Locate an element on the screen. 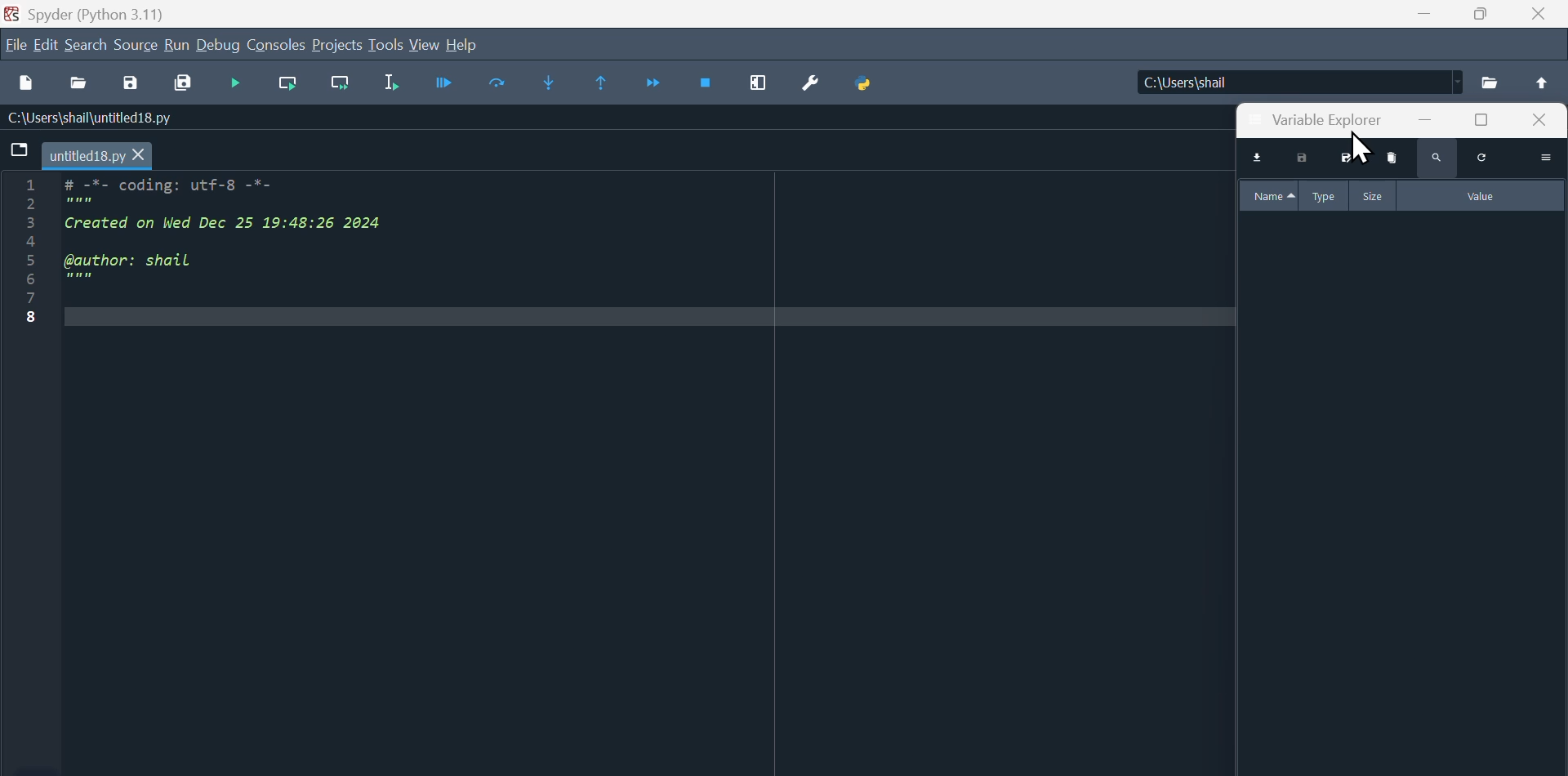 The image size is (1568, 776). untitled18.py is located at coordinates (97, 158).